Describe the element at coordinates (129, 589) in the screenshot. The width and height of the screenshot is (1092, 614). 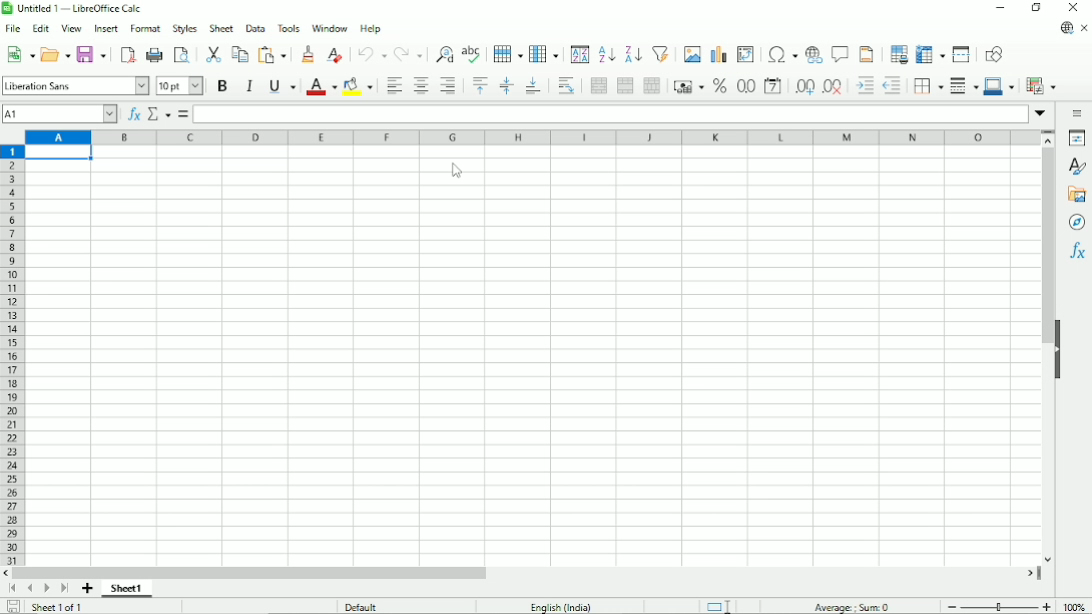
I see `Sheet 1` at that location.